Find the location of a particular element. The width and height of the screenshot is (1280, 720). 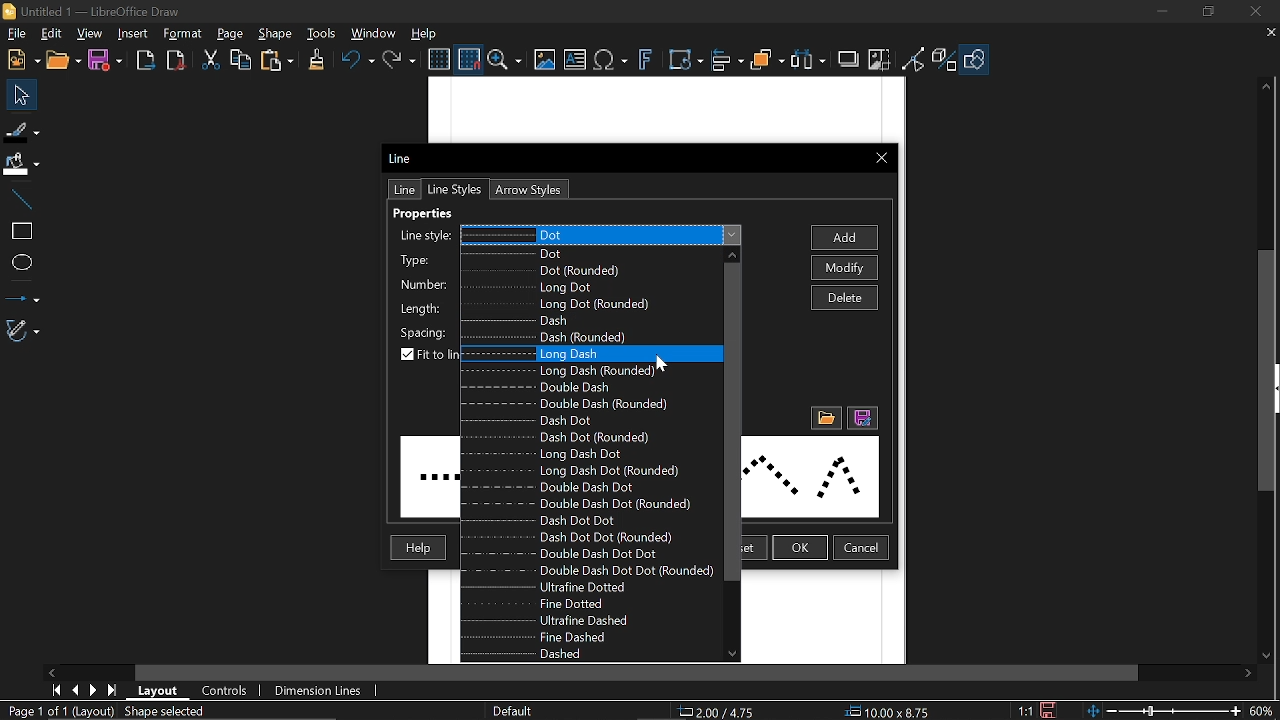

Tools is located at coordinates (322, 33).